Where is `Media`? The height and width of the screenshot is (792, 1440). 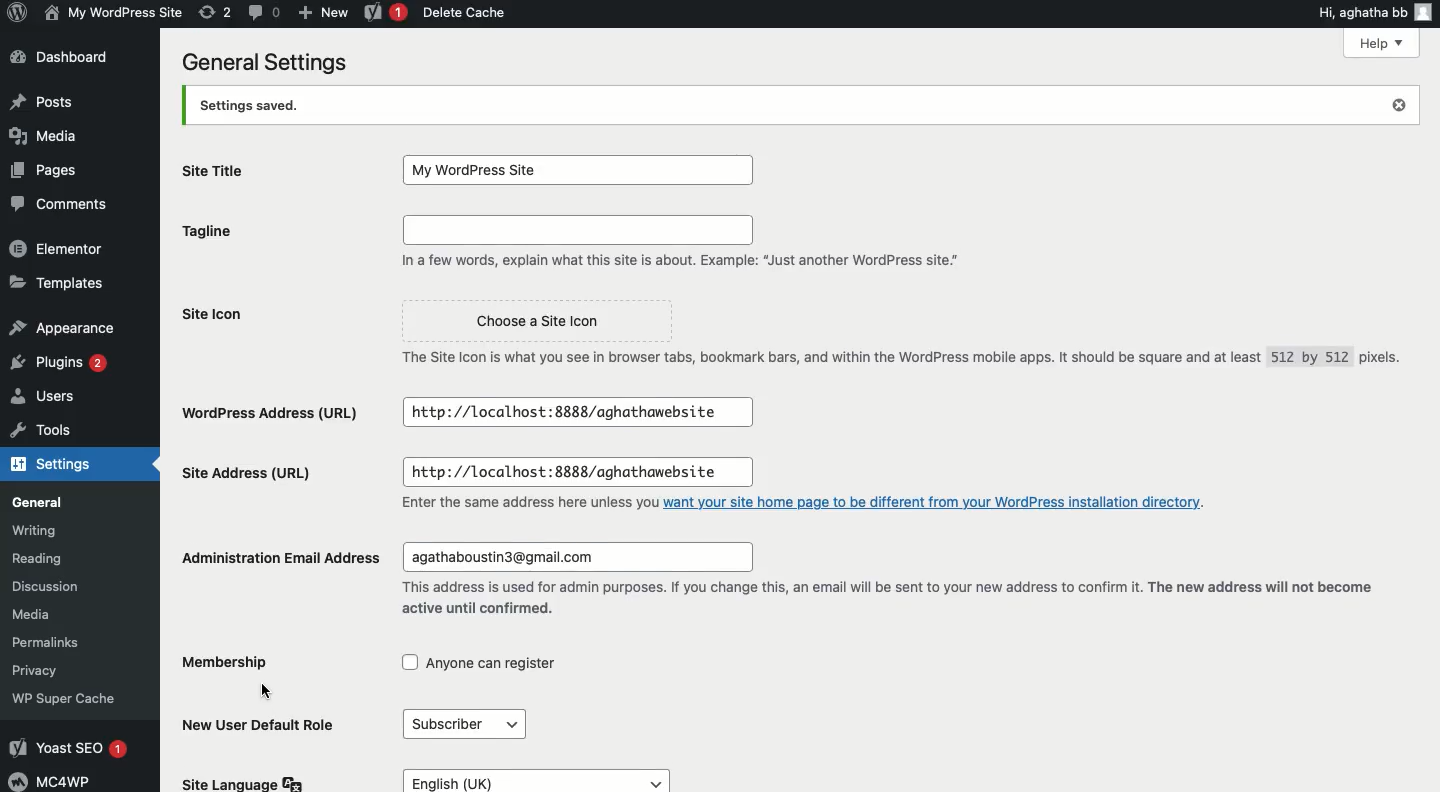
Media is located at coordinates (45, 137).